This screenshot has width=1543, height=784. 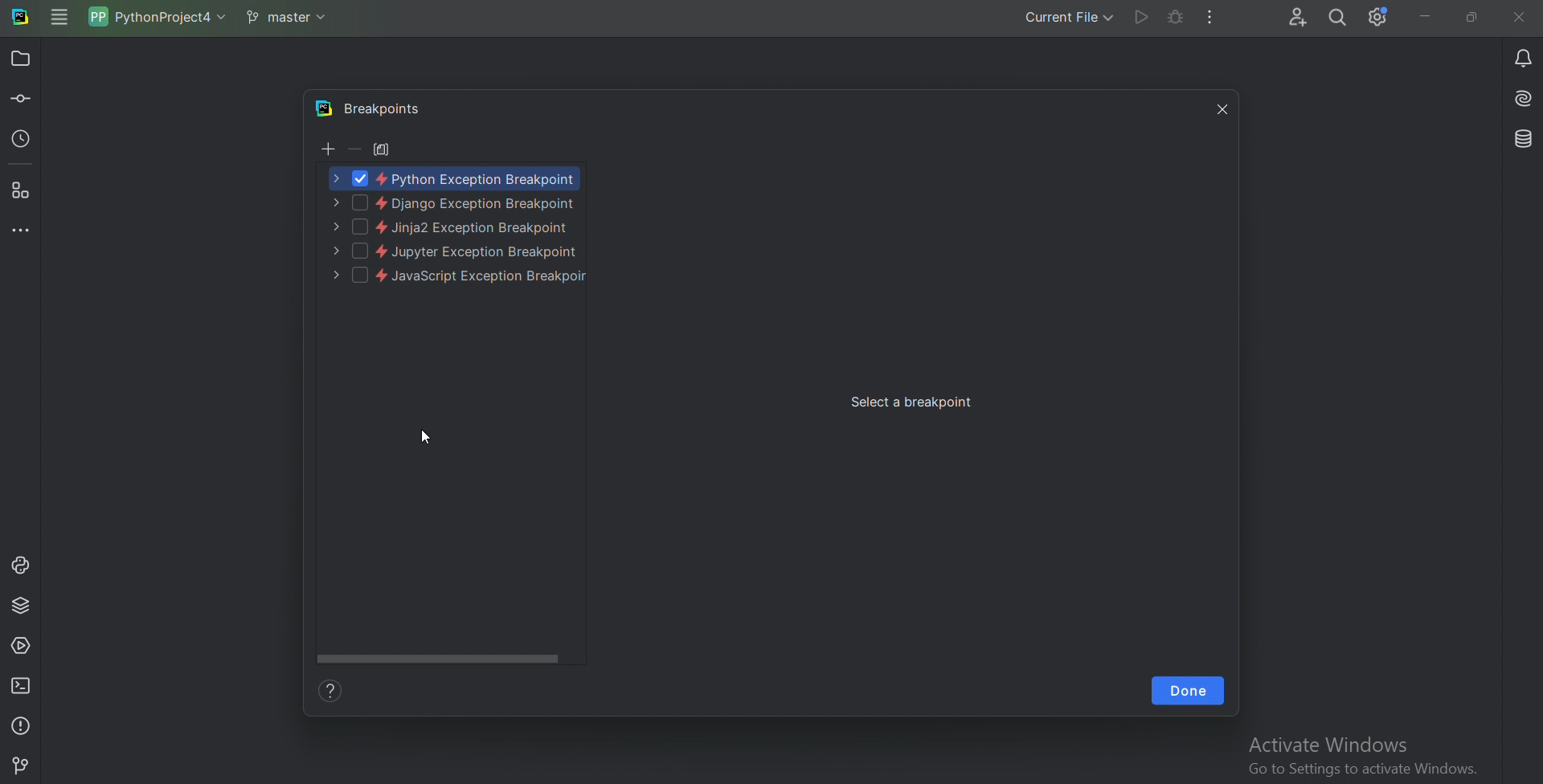 What do you see at coordinates (914, 402) in the screenshot?
I see `Select a breakpoint` at bounding box center [914, 402].